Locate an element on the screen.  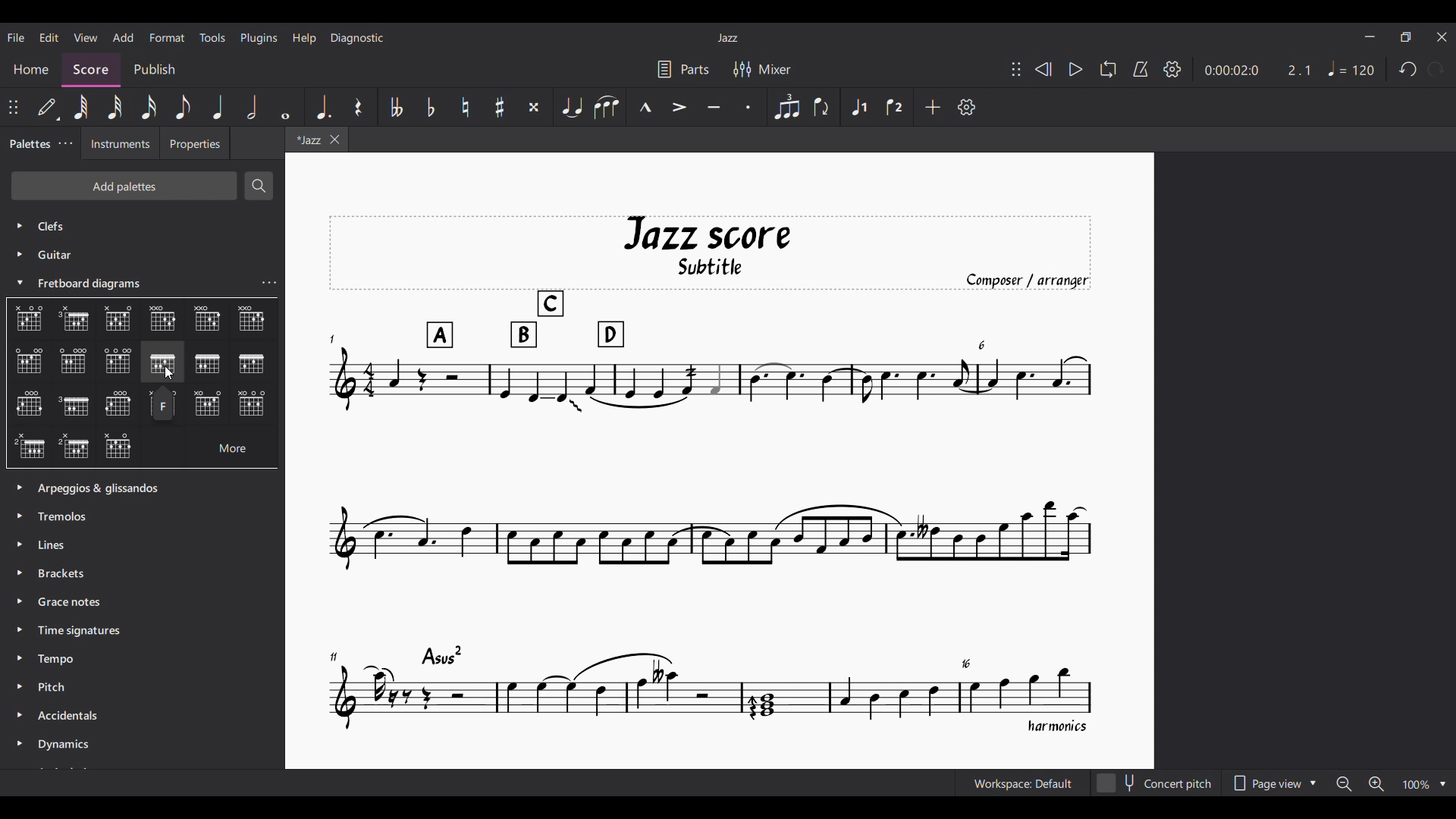
tremolos is located at coordinates (69, 515).